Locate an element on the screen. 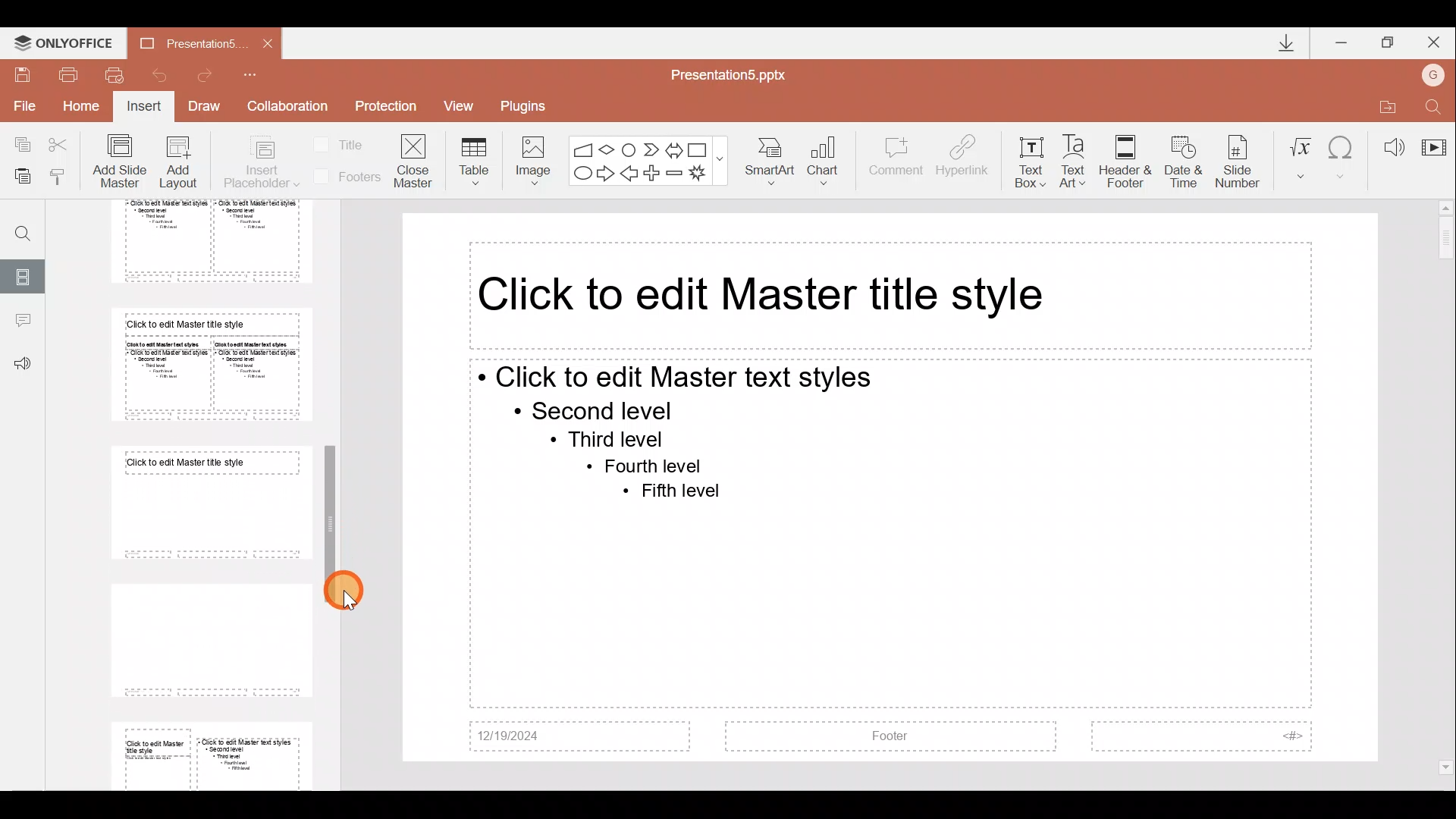 The height and width of the screenshot is (819, 1456). Text Art is located at coordinates (1077, 157).